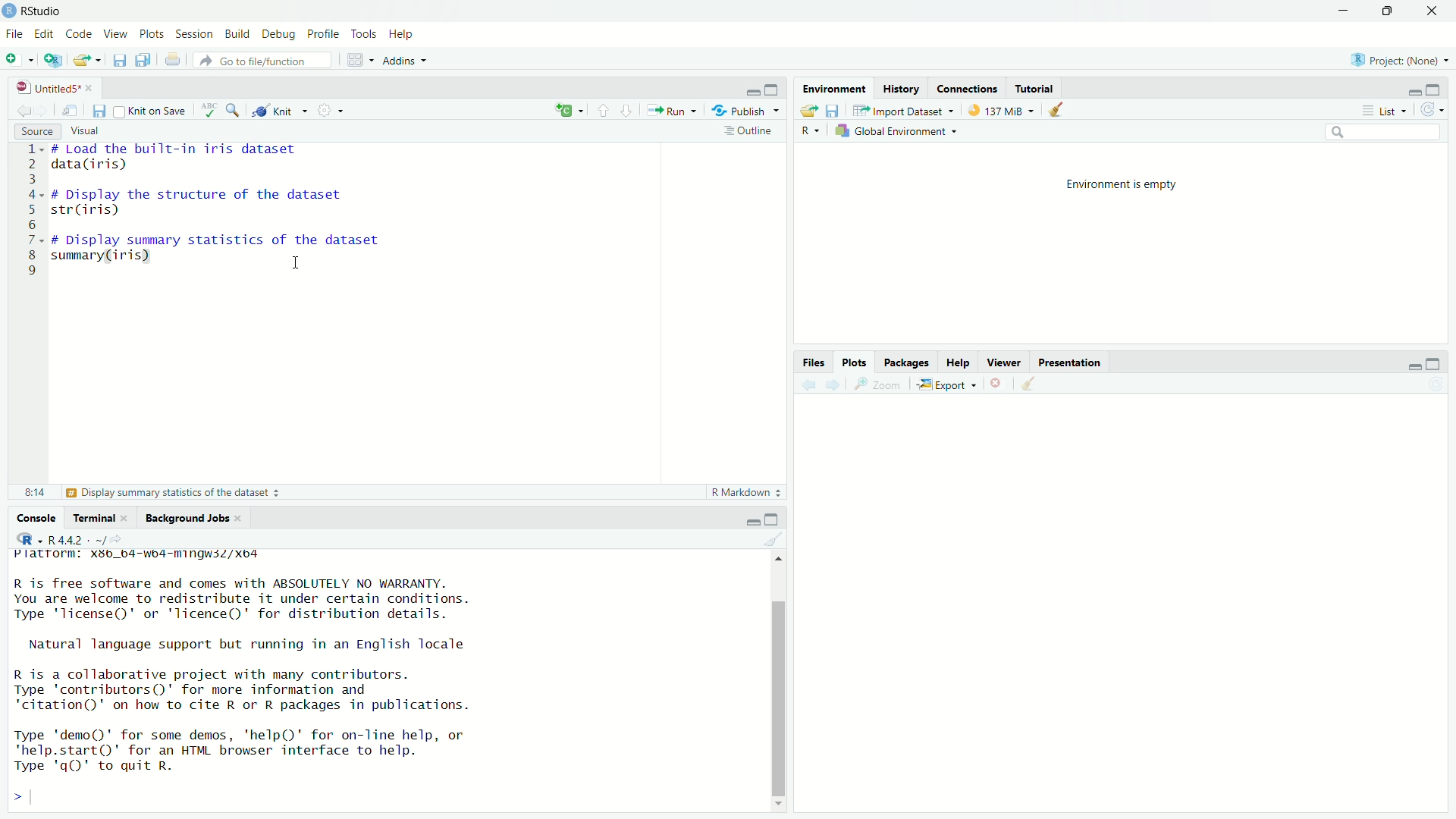 The width and height of the screenshot is (1456, 819). I want to click on Save current file, so click(119, 61).